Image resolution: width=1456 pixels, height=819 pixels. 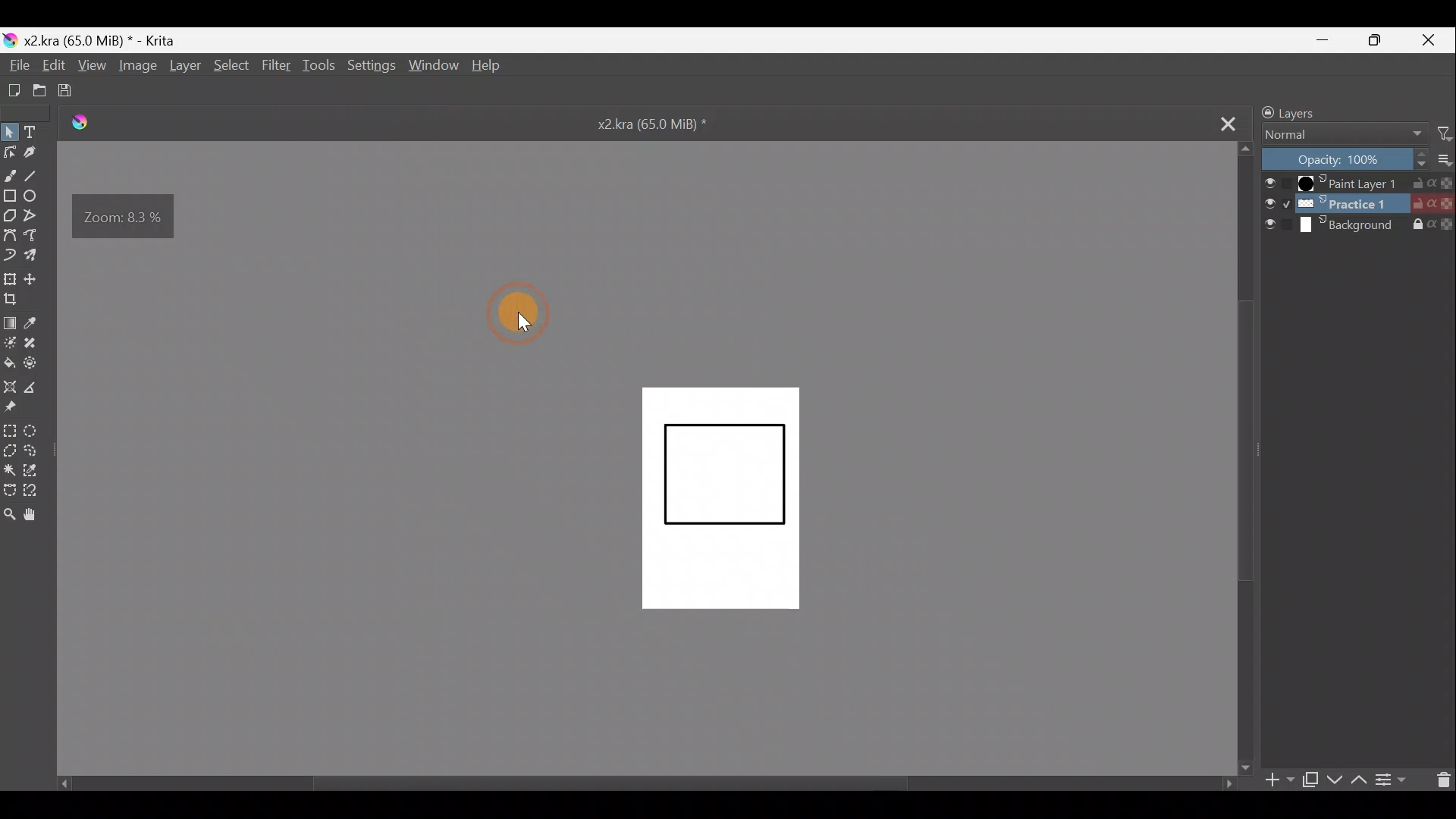 I want to click on Duplicate layer/mask, so click(x=1309, y=780).